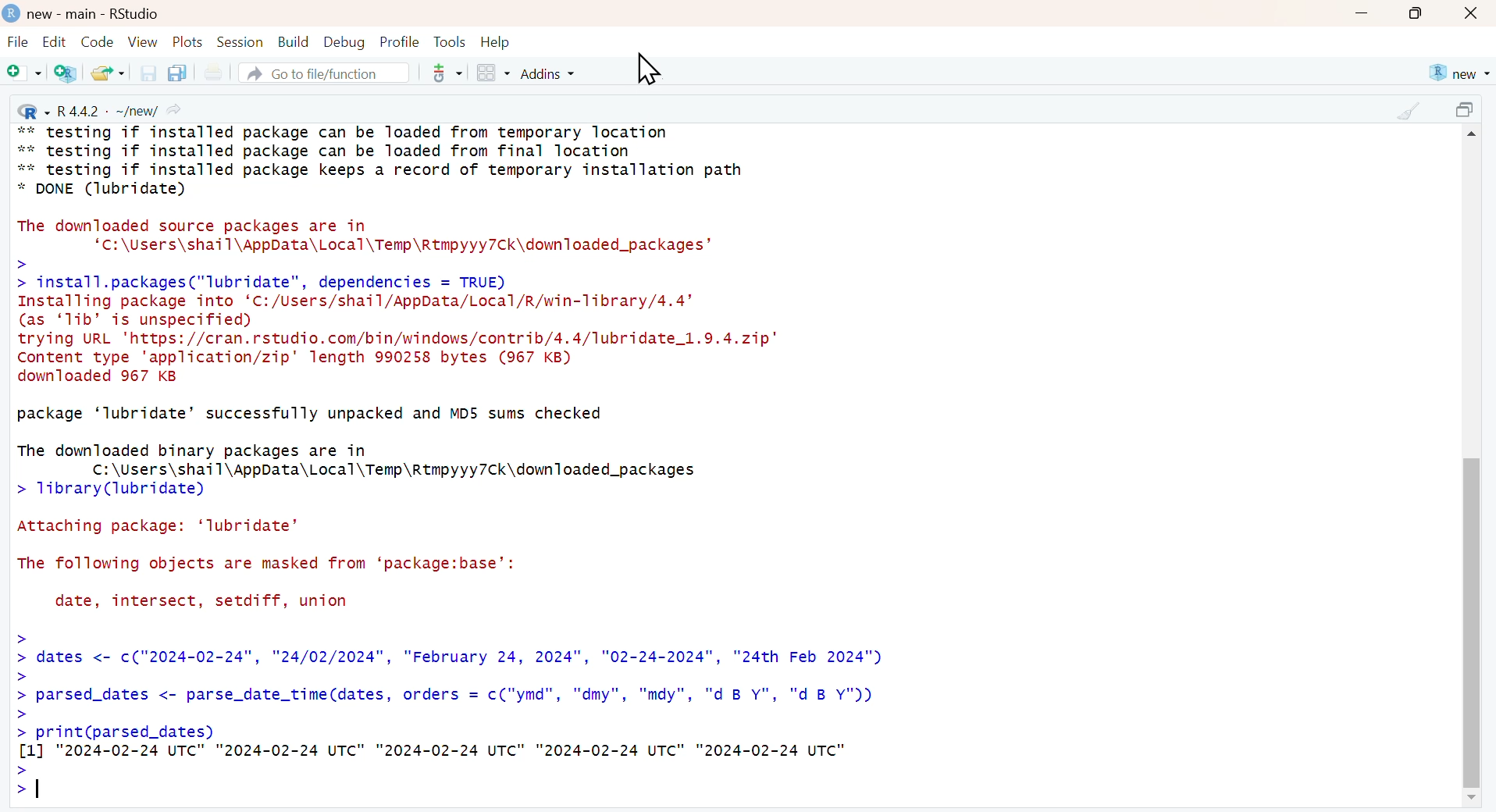 The height and width of the screenshot is (812, 1496). I want to click on Build, so click(293, 42).